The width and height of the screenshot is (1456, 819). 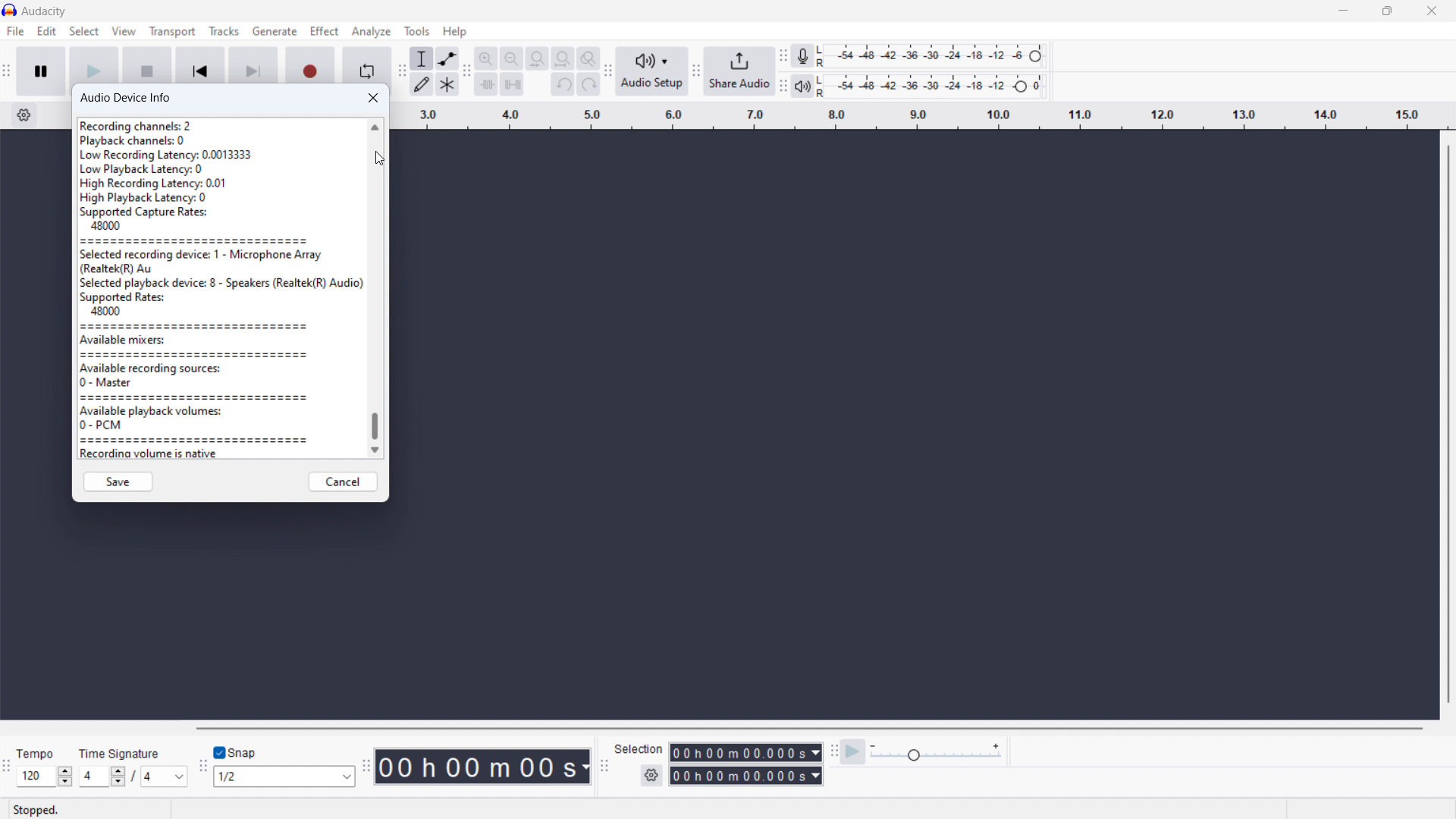 What do you see at coordinates (783, 57) in the screenshot?
I see `recording meter toolbar` at bounding box center [783, 57].